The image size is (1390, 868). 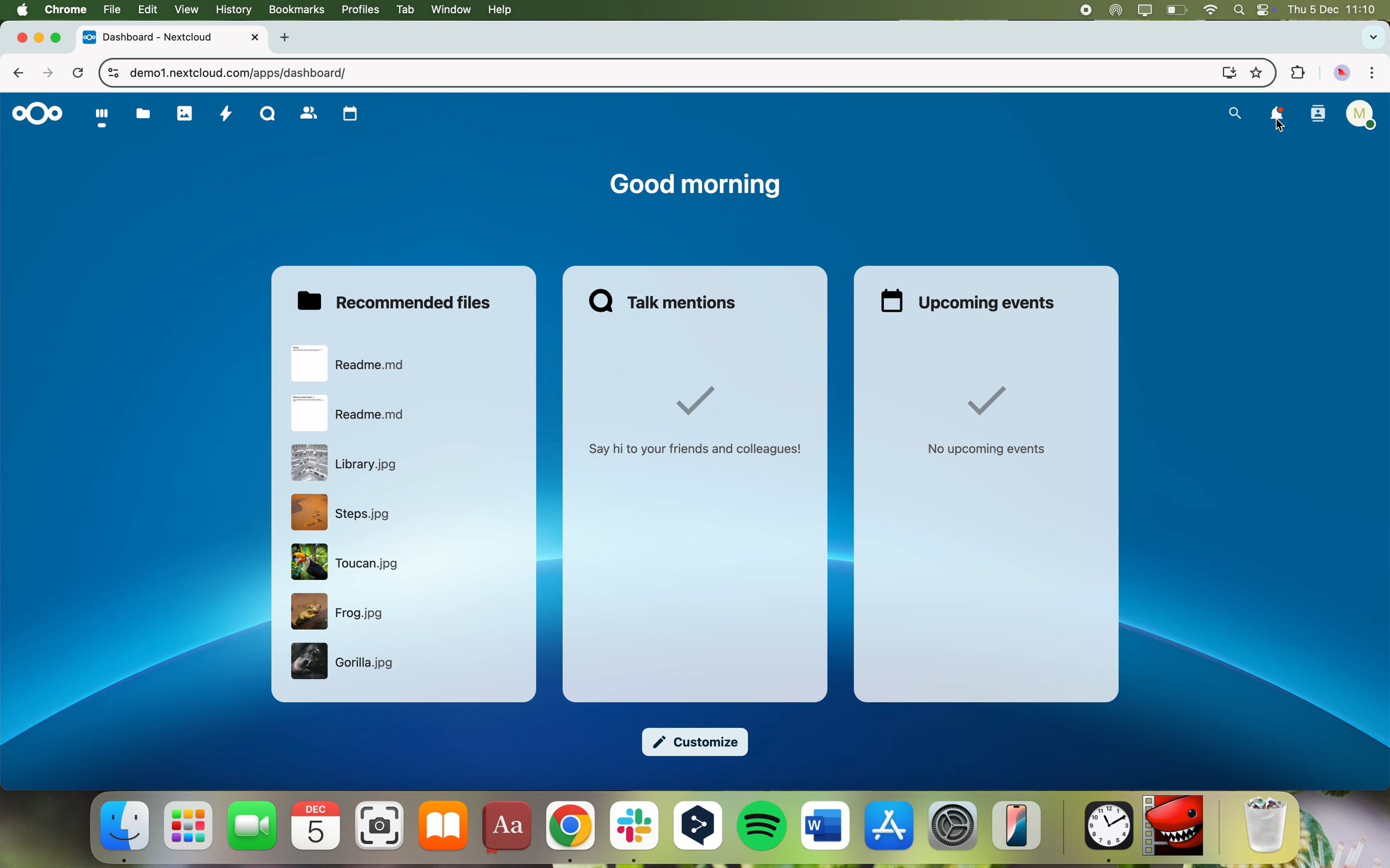 What do you see at coordinates (346, 663) in the screenshot?
I see `file` at bounding box center [346, 663].